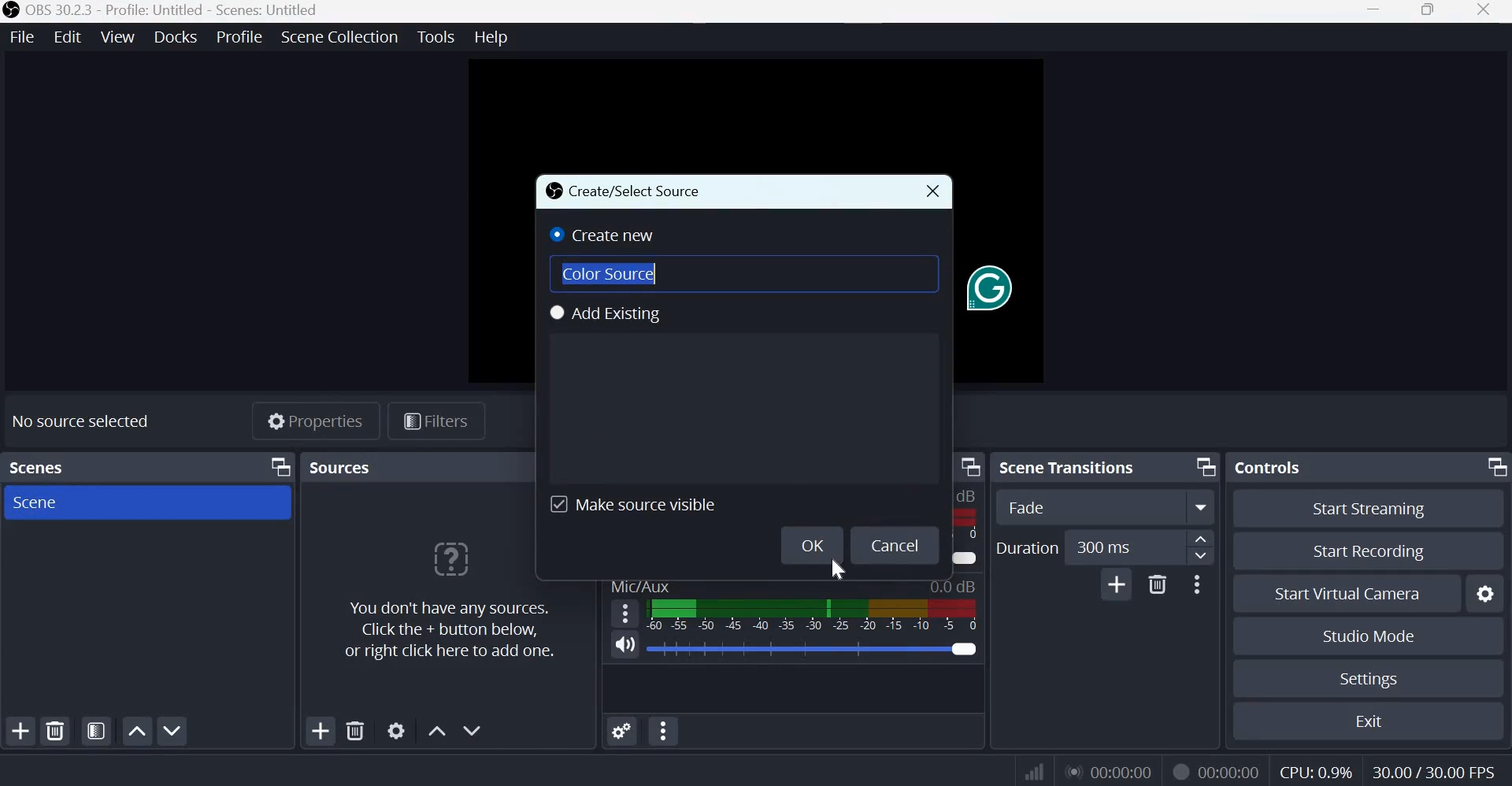 The width and height of the screenshot is (1512, 786). Describe the element at coordinates (1367, 679) in the screenshot. I see `Settings` at that location.